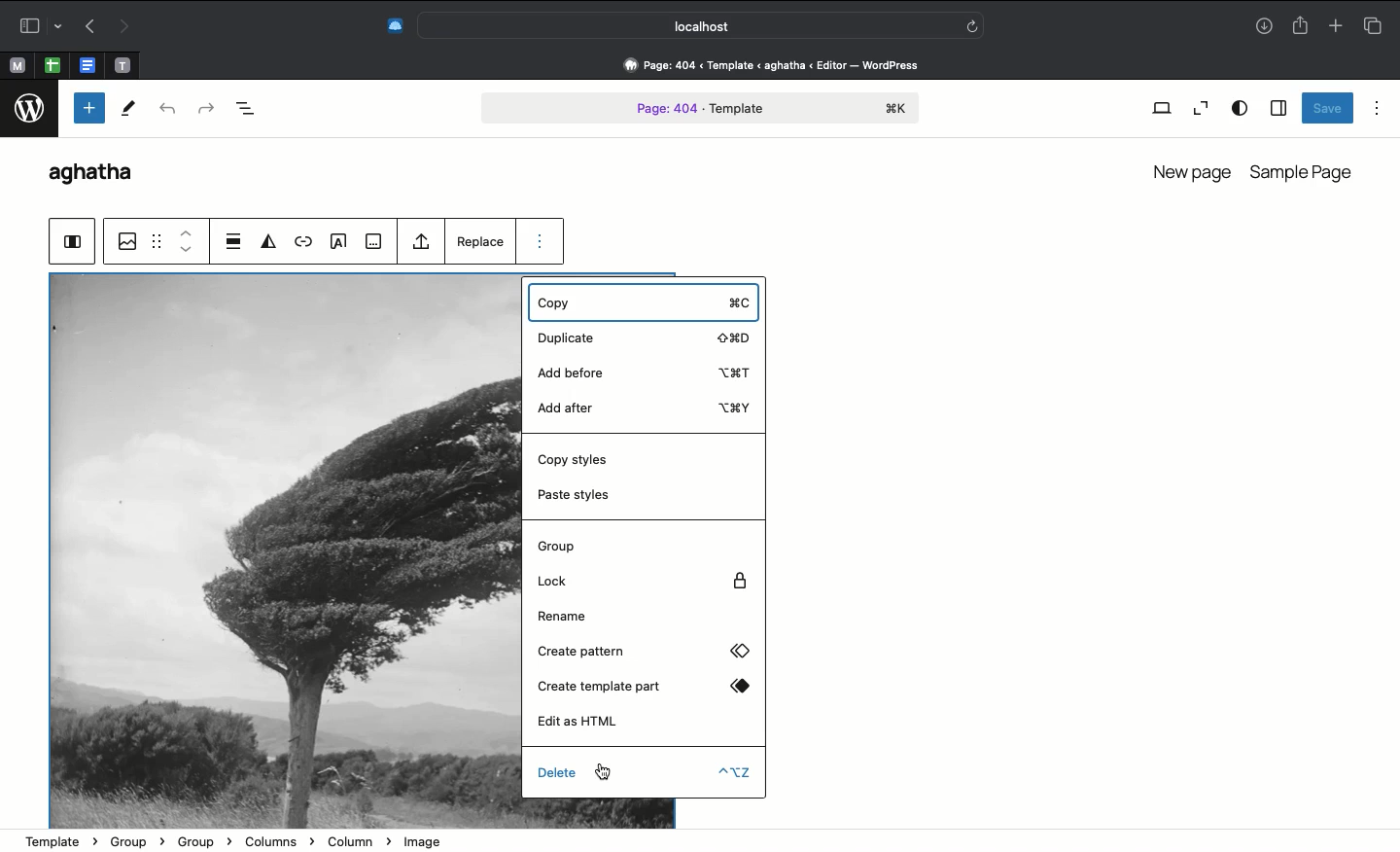 This screenshot has width=1400, height=852. I want to click on Group, so click(73, 243).